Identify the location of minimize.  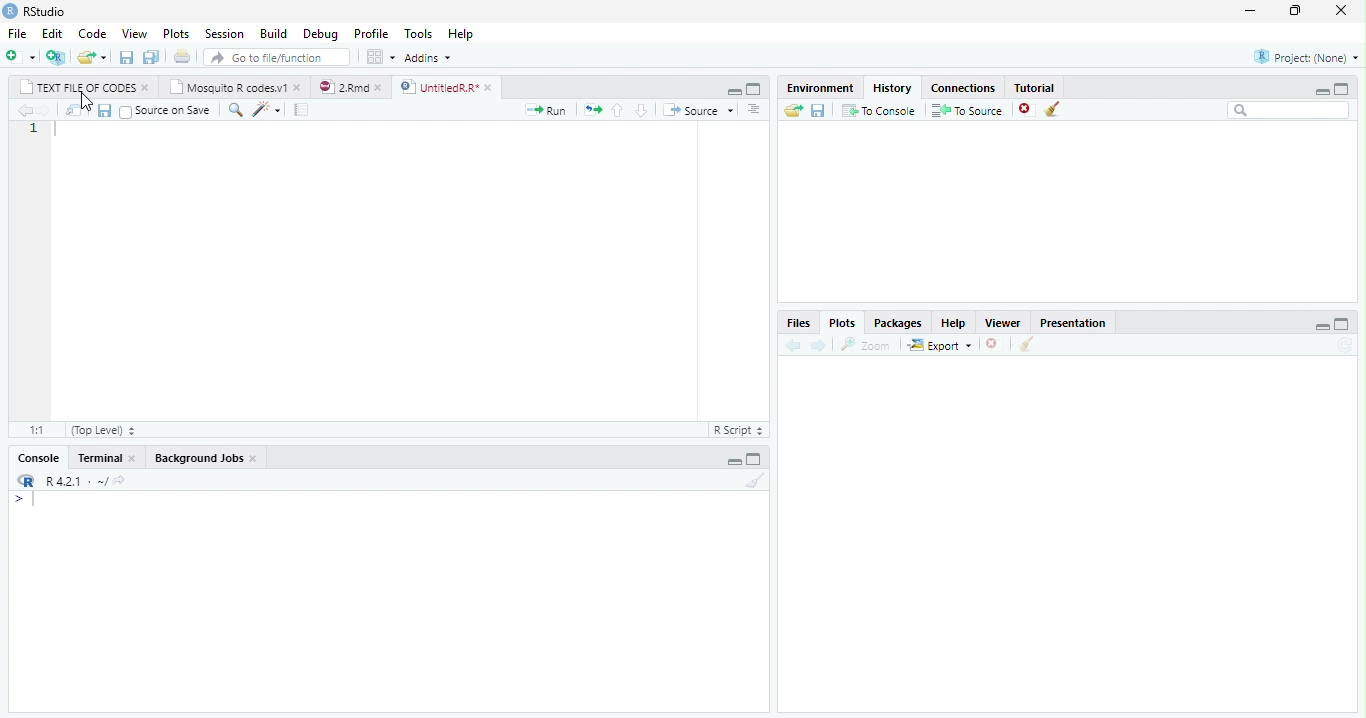
(734, 462).